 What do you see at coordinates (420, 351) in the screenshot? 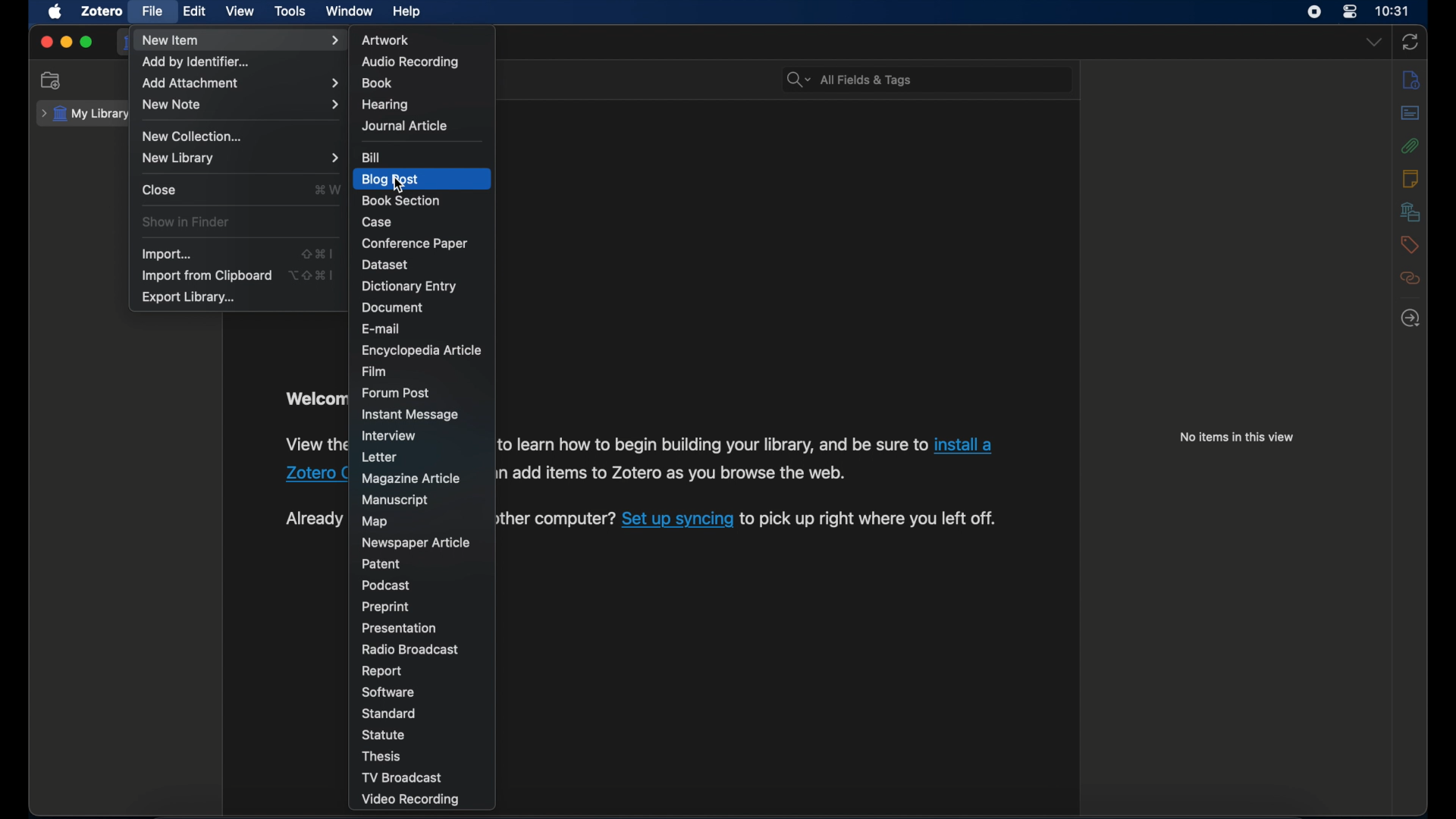
I see `encyclopedia article` at bounding box center [420, 351].